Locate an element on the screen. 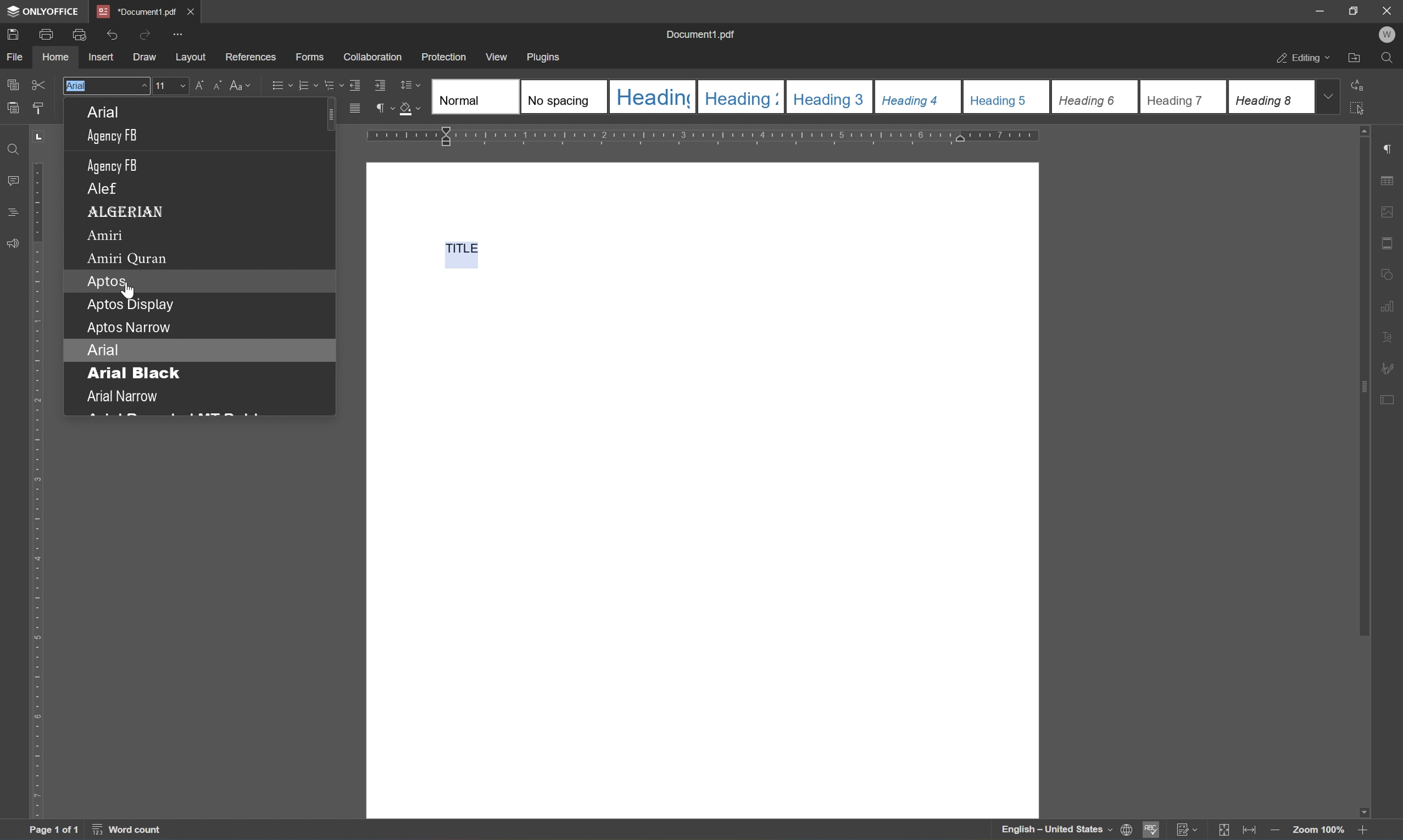 The height and width of the screenshot is (840, 1403). fit to width is located at coordinates (1251, 830).